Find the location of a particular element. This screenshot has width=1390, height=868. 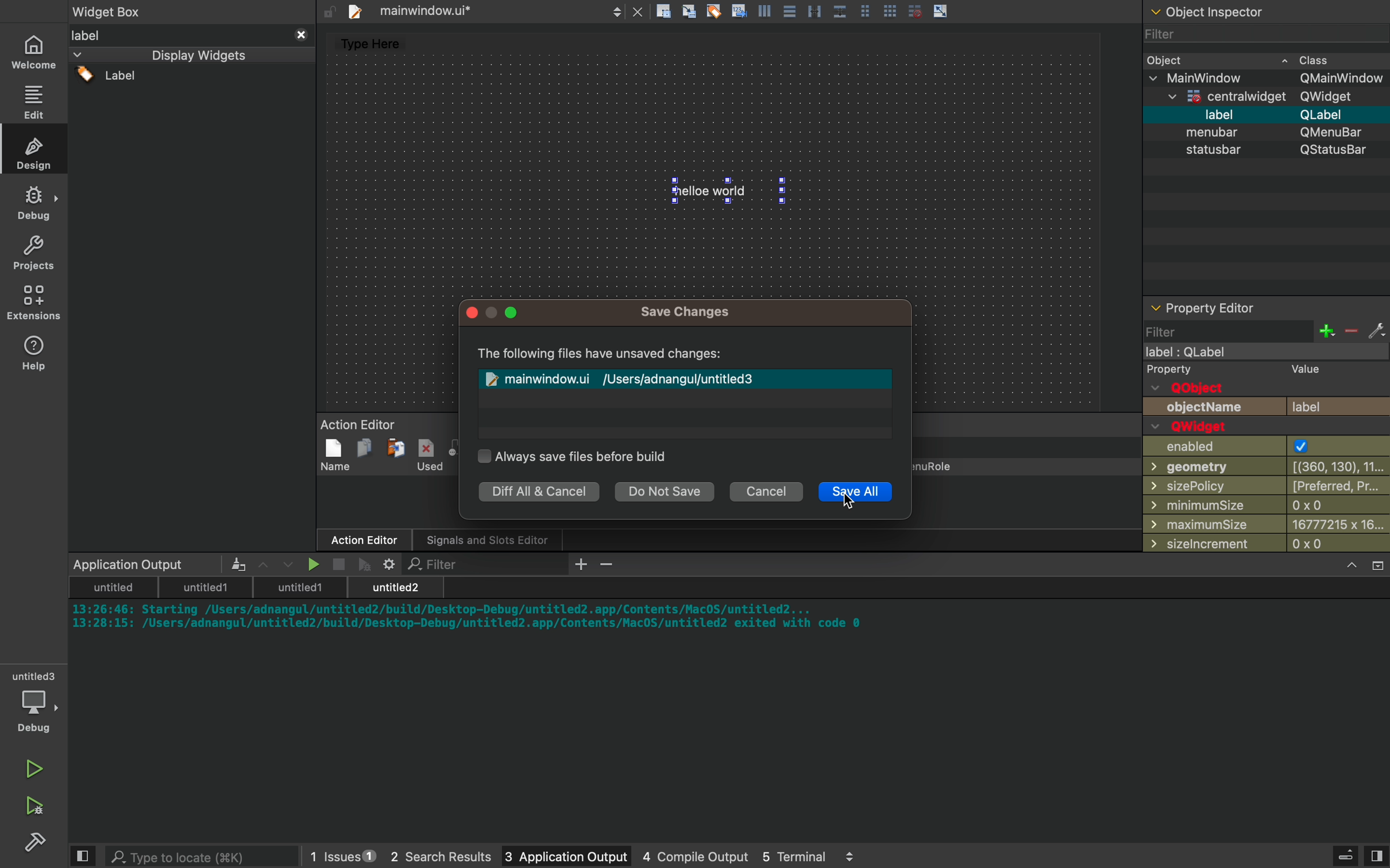

 is located at coordinates (690, 313).